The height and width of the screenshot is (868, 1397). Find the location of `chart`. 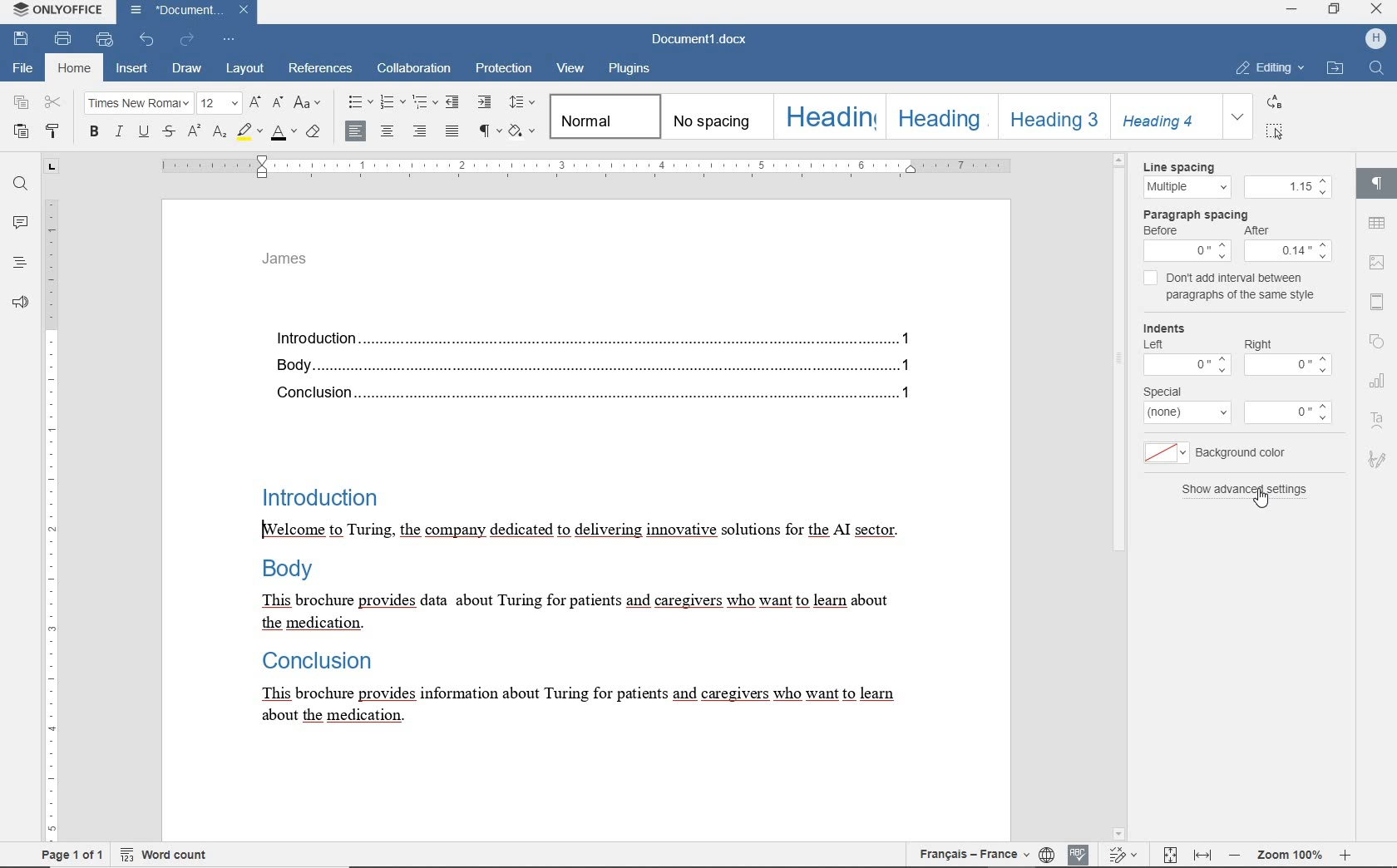

chart is located at coordinates (1380, 382).